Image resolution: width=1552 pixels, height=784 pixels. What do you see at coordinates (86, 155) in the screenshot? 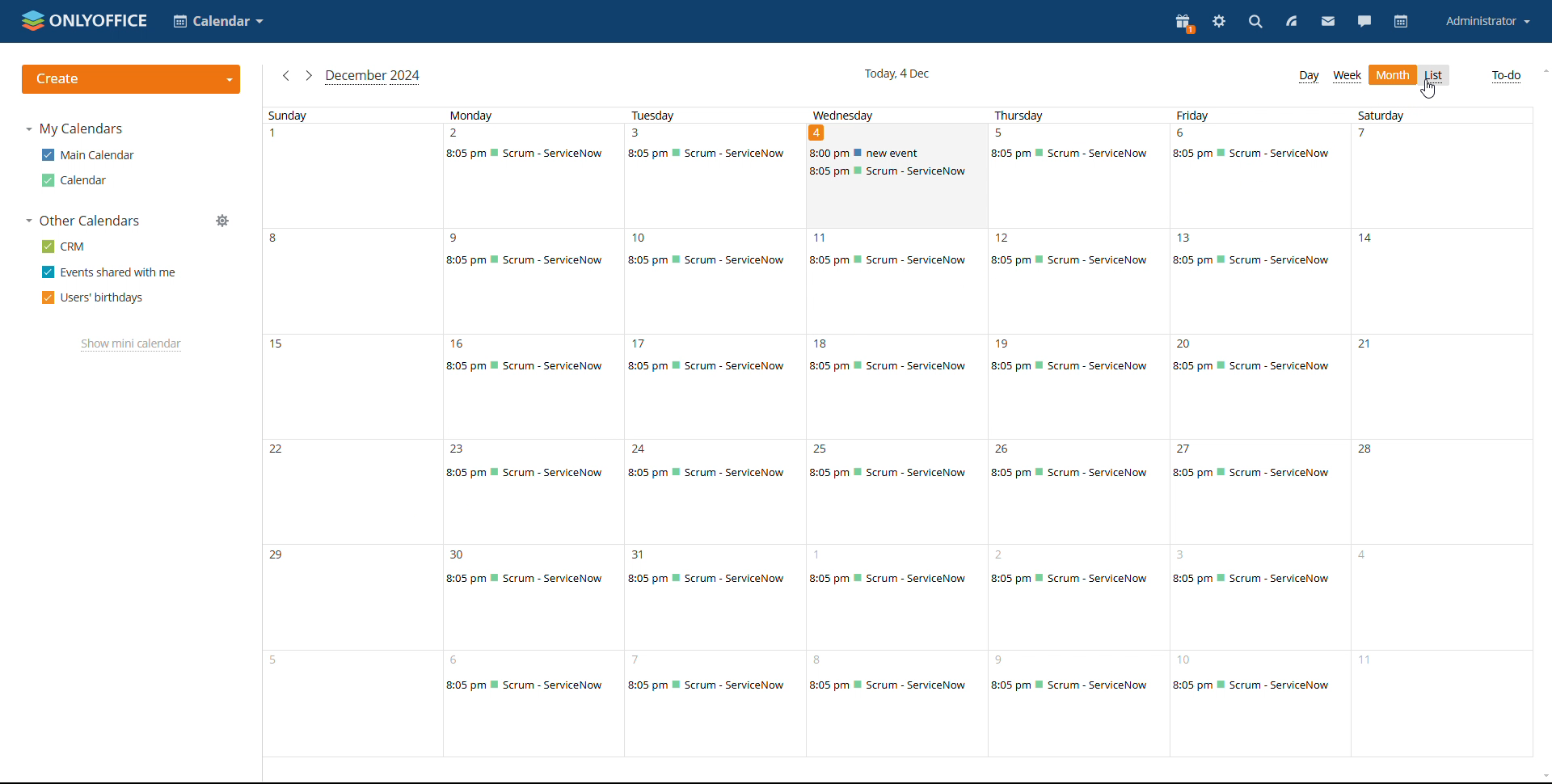
I see `main calendar` at bounding box center [86, 155].